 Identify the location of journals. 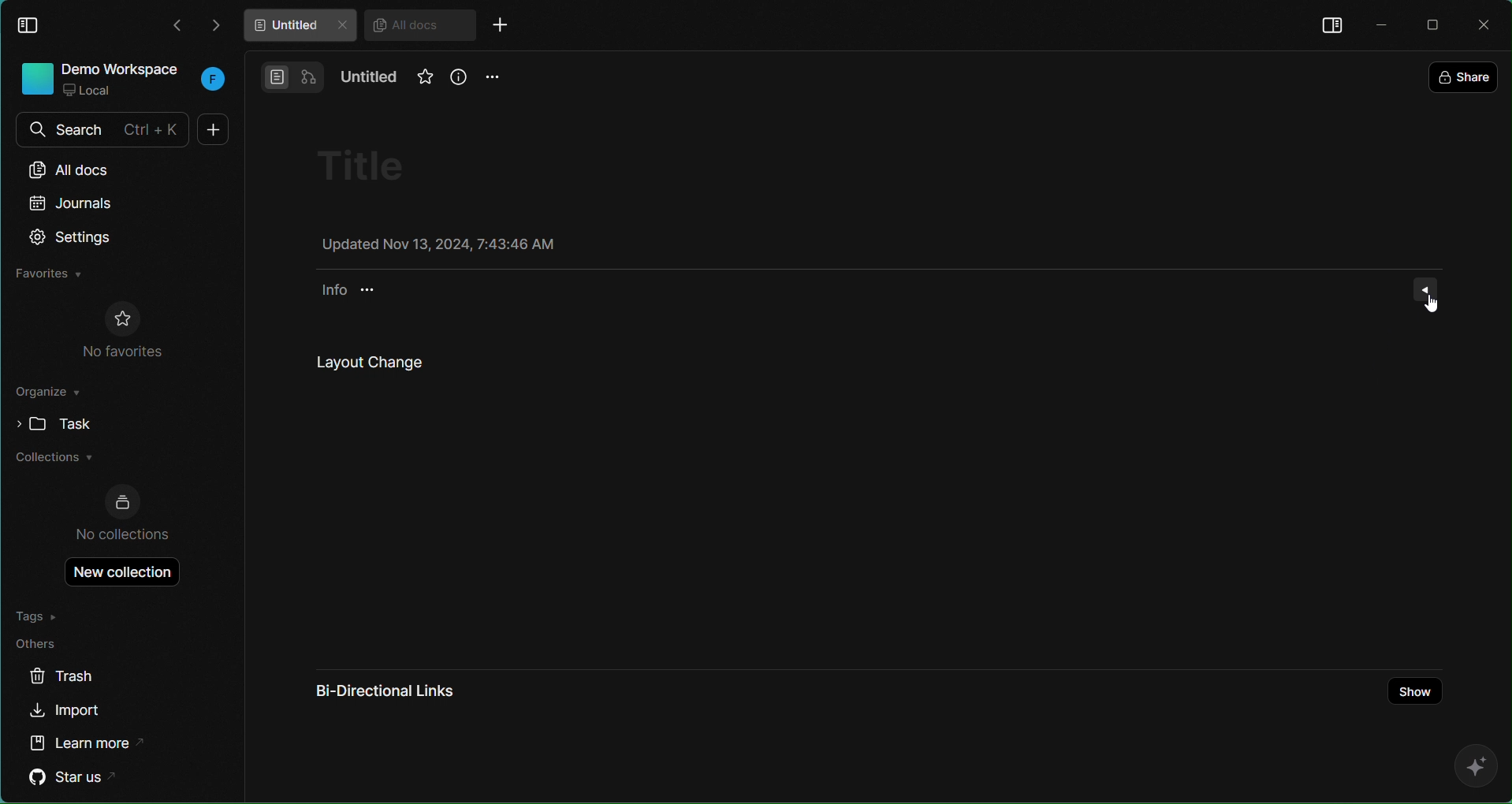
(73, 203).